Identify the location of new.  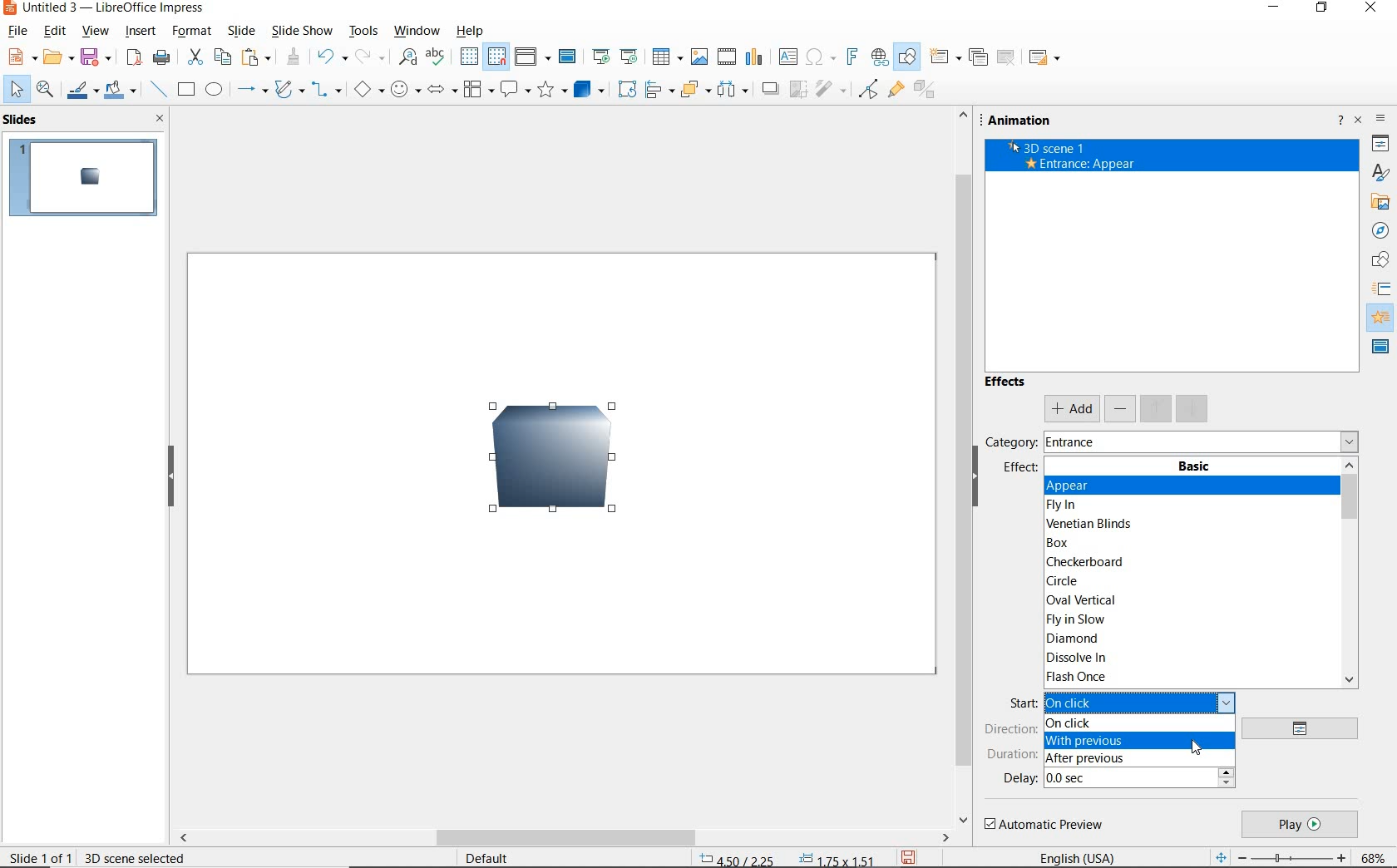
(22, 57).